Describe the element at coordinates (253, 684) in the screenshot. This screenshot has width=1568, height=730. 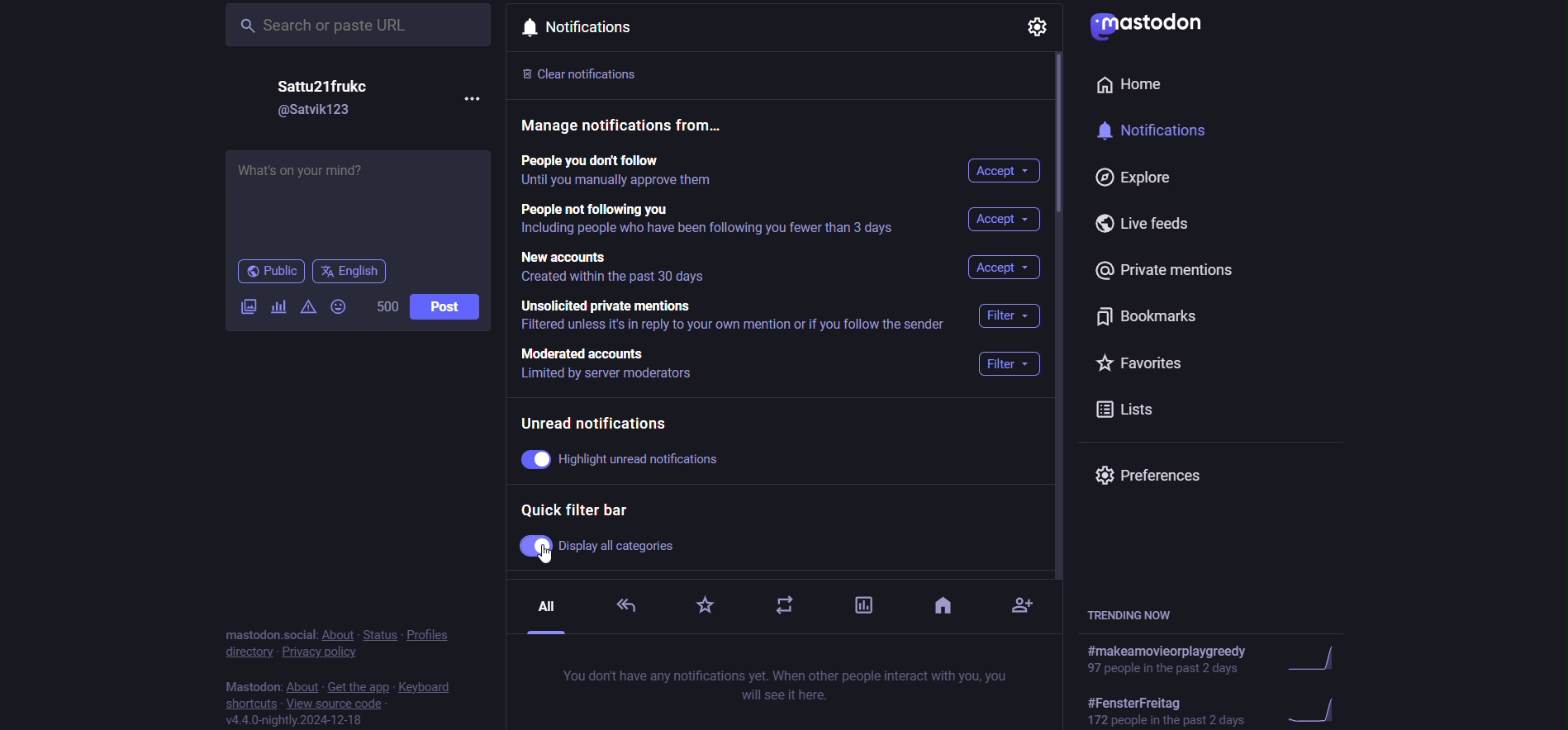
I see `mastodon social` at that location.